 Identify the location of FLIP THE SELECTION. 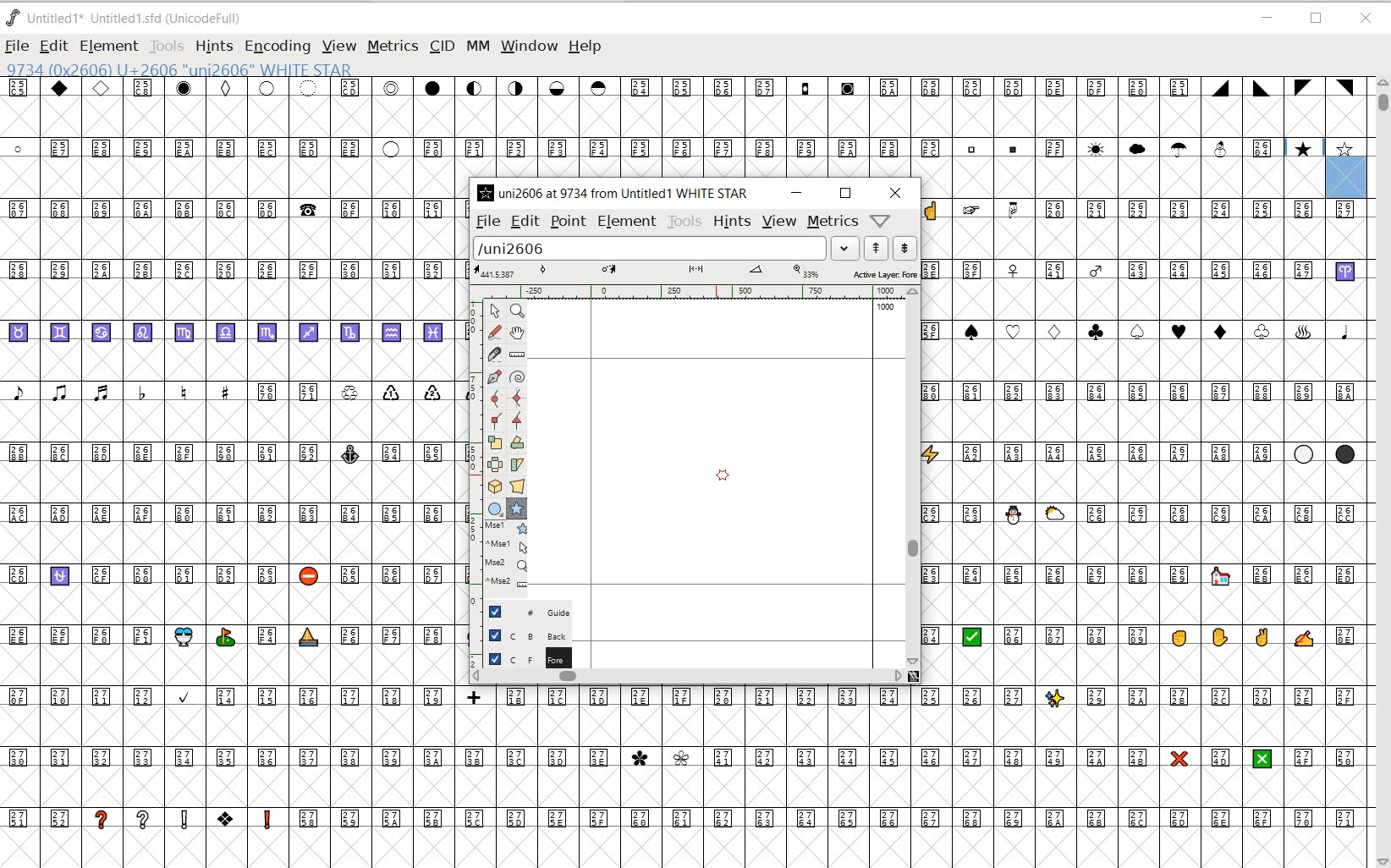
(496, 465).